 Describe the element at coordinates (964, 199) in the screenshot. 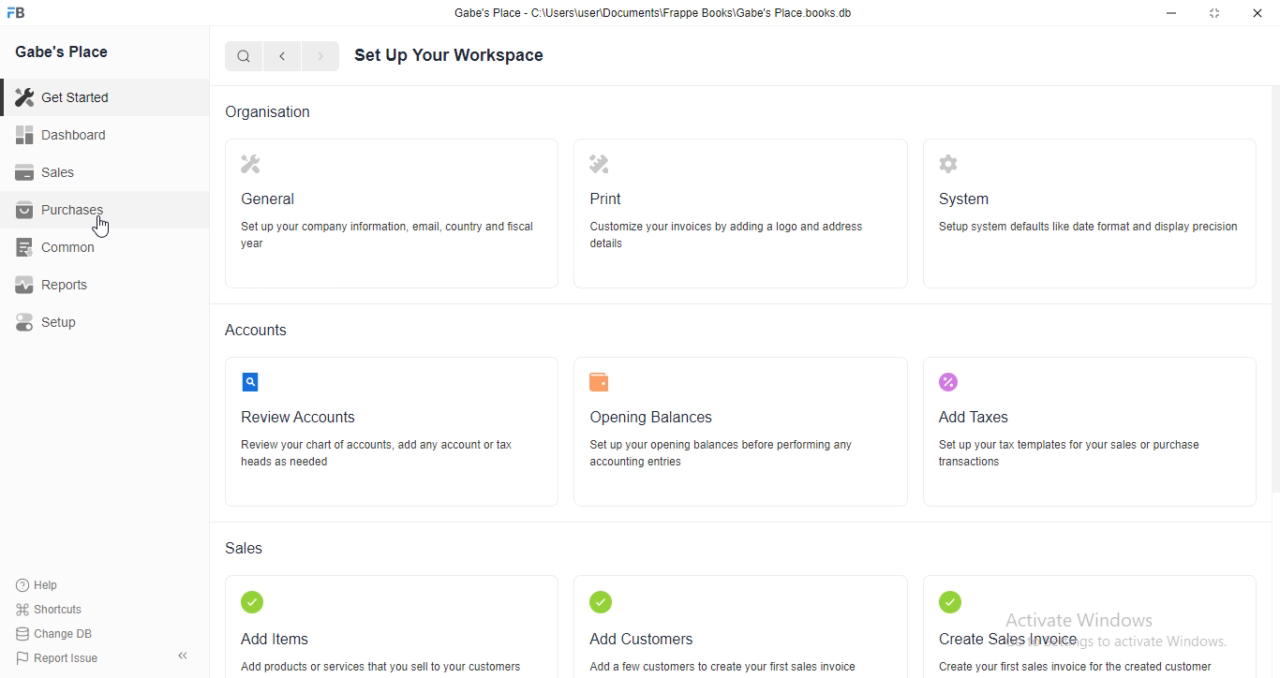

I see `System` at that location.